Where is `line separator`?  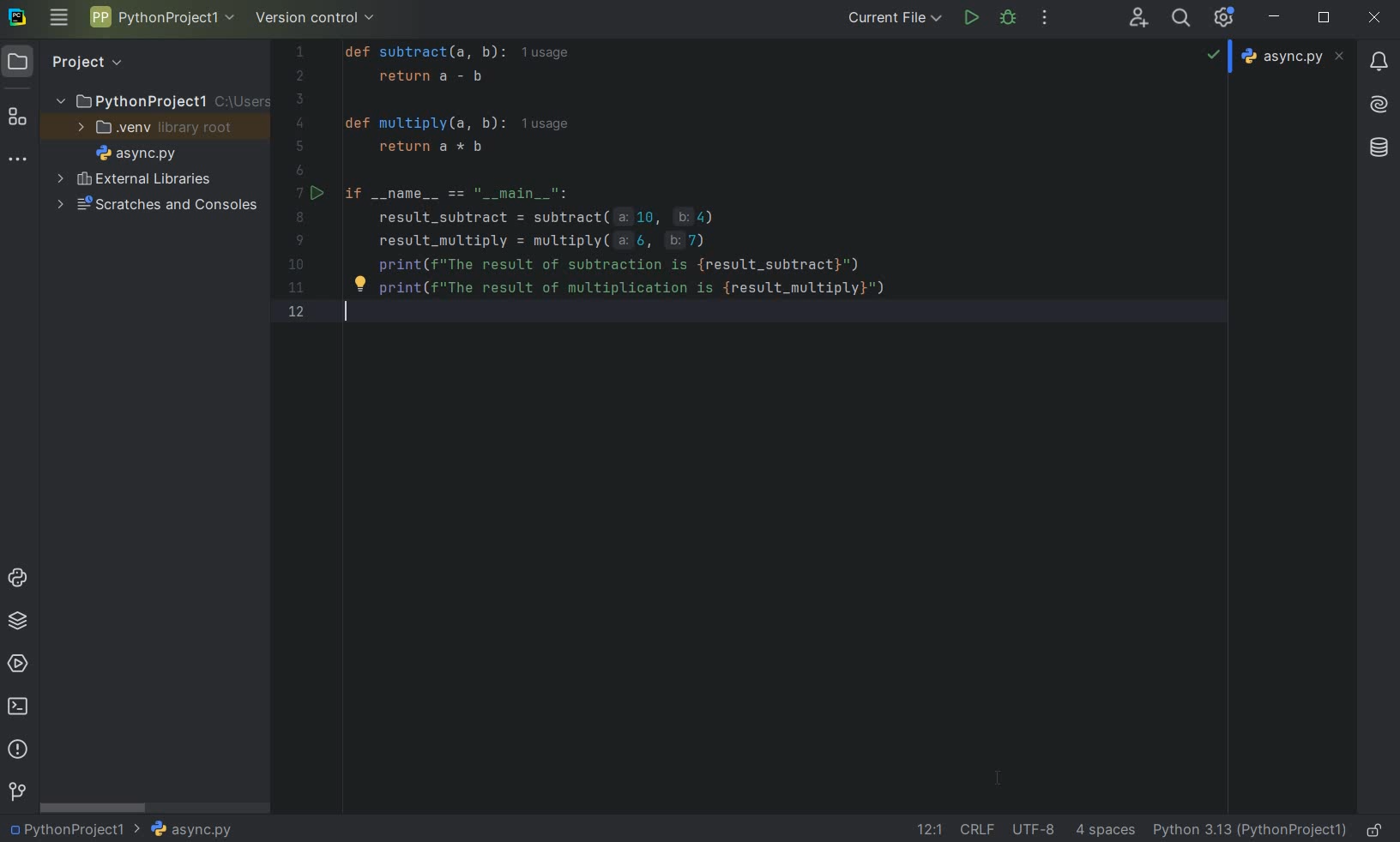
line separator is located at coordinates (976, 830).